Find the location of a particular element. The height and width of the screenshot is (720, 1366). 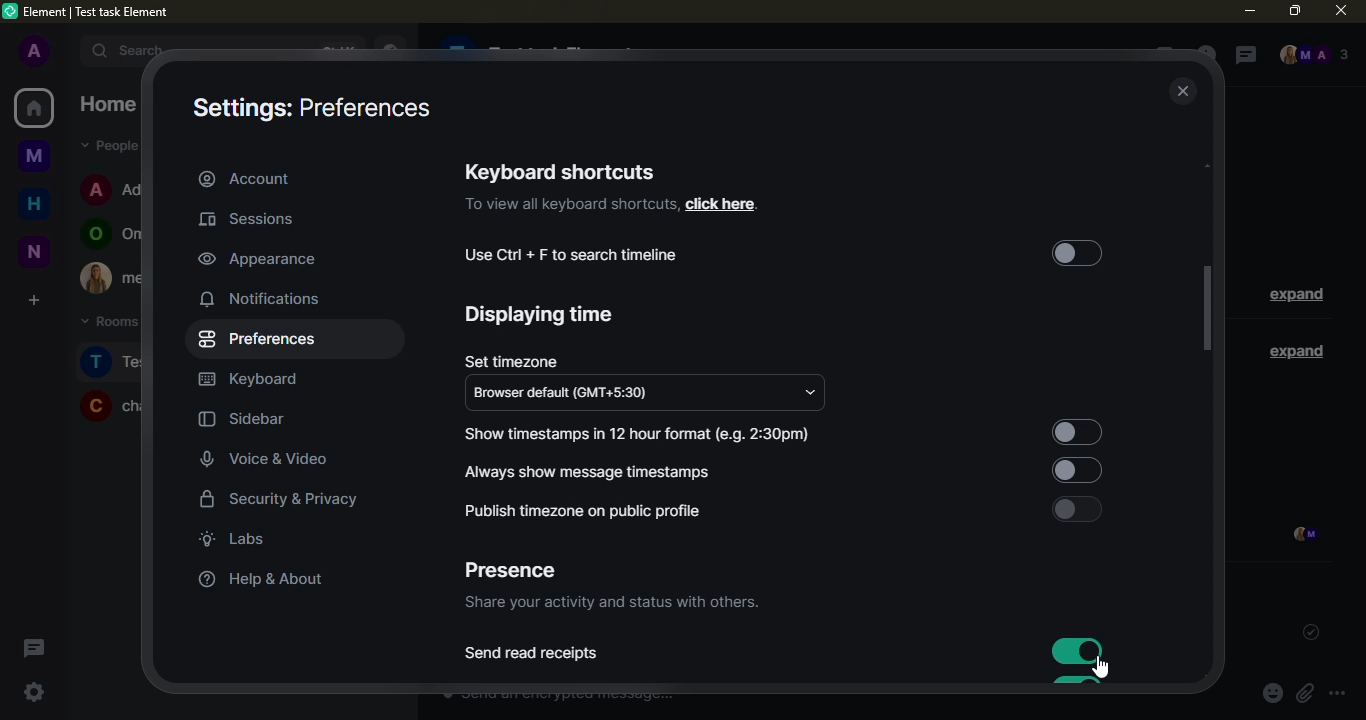

profile is located at coordinates (33, 52).